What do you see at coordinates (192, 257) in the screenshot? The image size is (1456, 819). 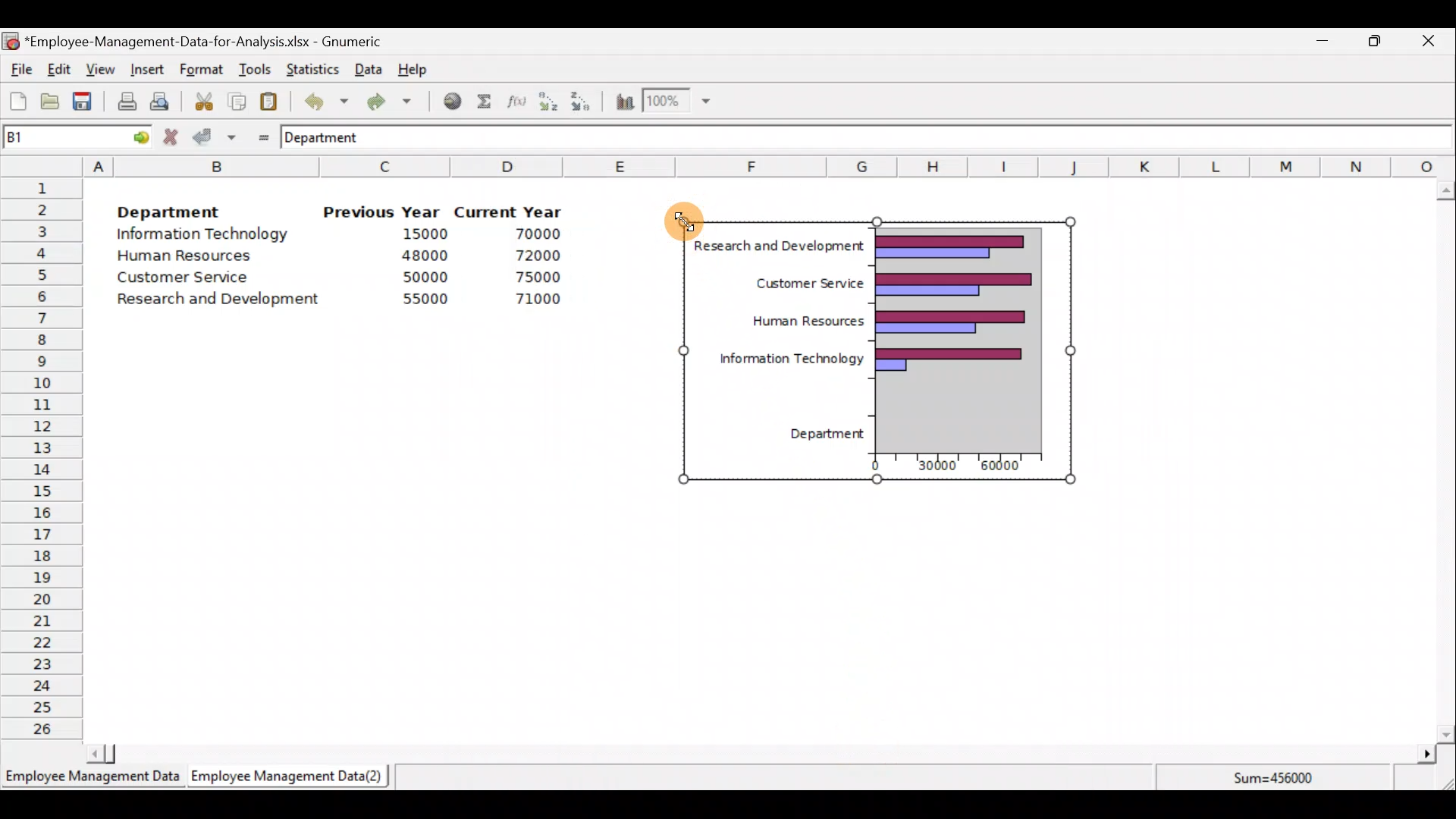 I see `Human Resources` at bounding box center [192, 257].